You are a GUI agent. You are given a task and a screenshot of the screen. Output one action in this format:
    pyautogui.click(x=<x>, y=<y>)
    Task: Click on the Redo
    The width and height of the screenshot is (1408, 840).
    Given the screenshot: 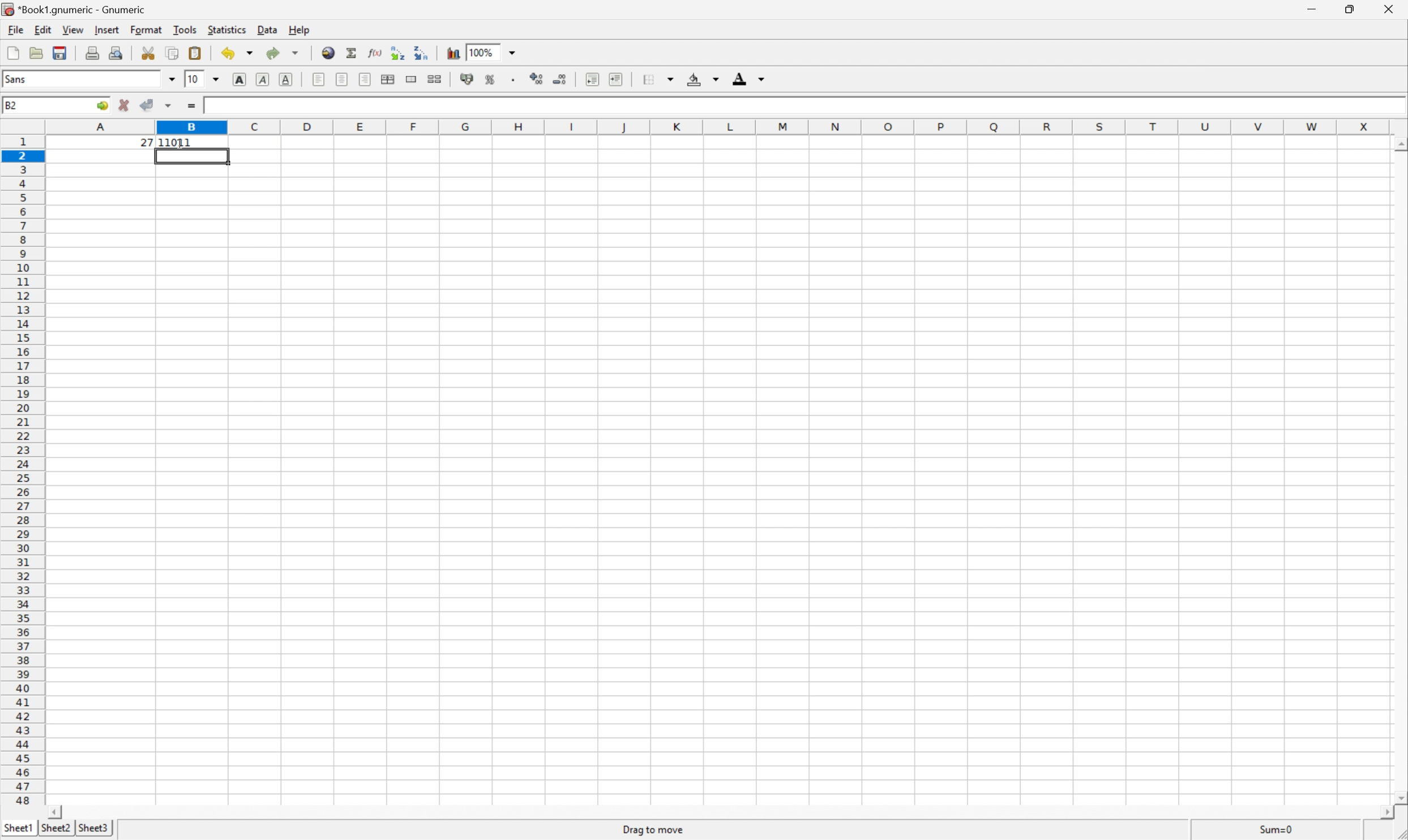 What is the action you would take?
    pyautogui.click(x=281, y=53)
    